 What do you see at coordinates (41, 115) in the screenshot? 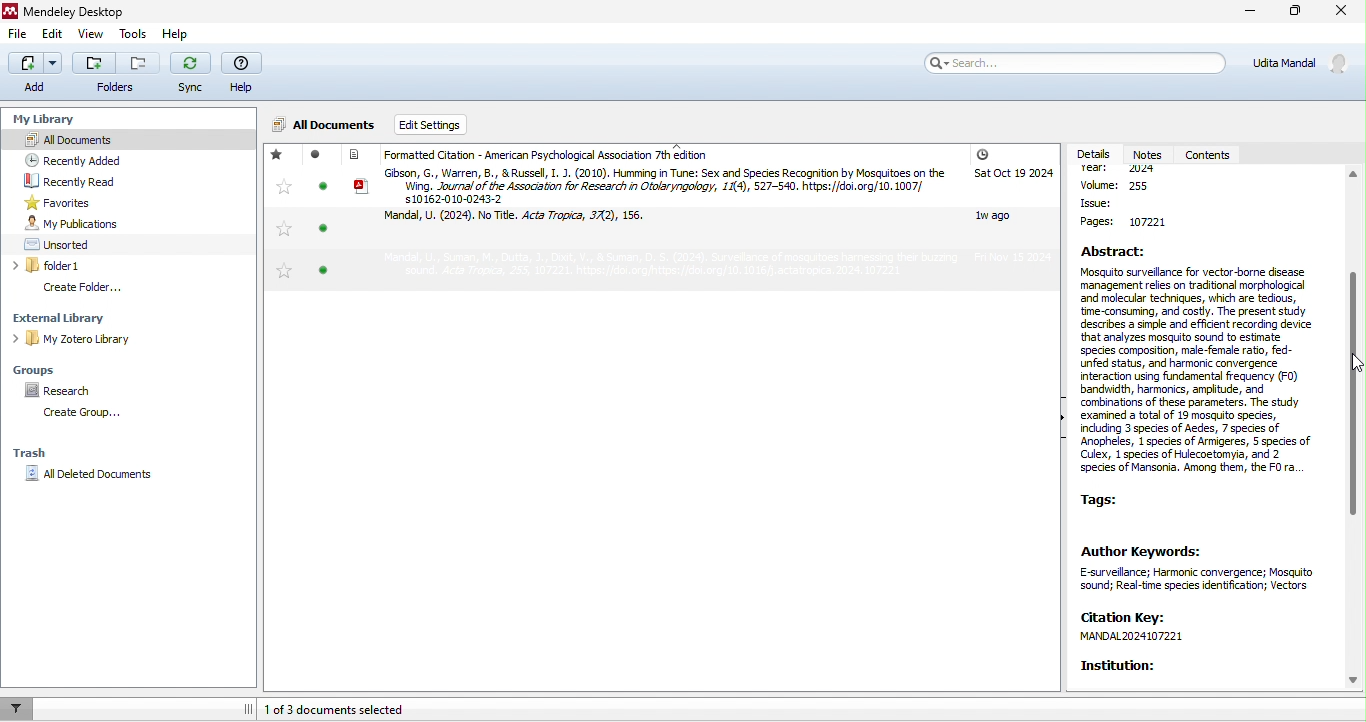
I see `my library` at bounding box center [41, 115].